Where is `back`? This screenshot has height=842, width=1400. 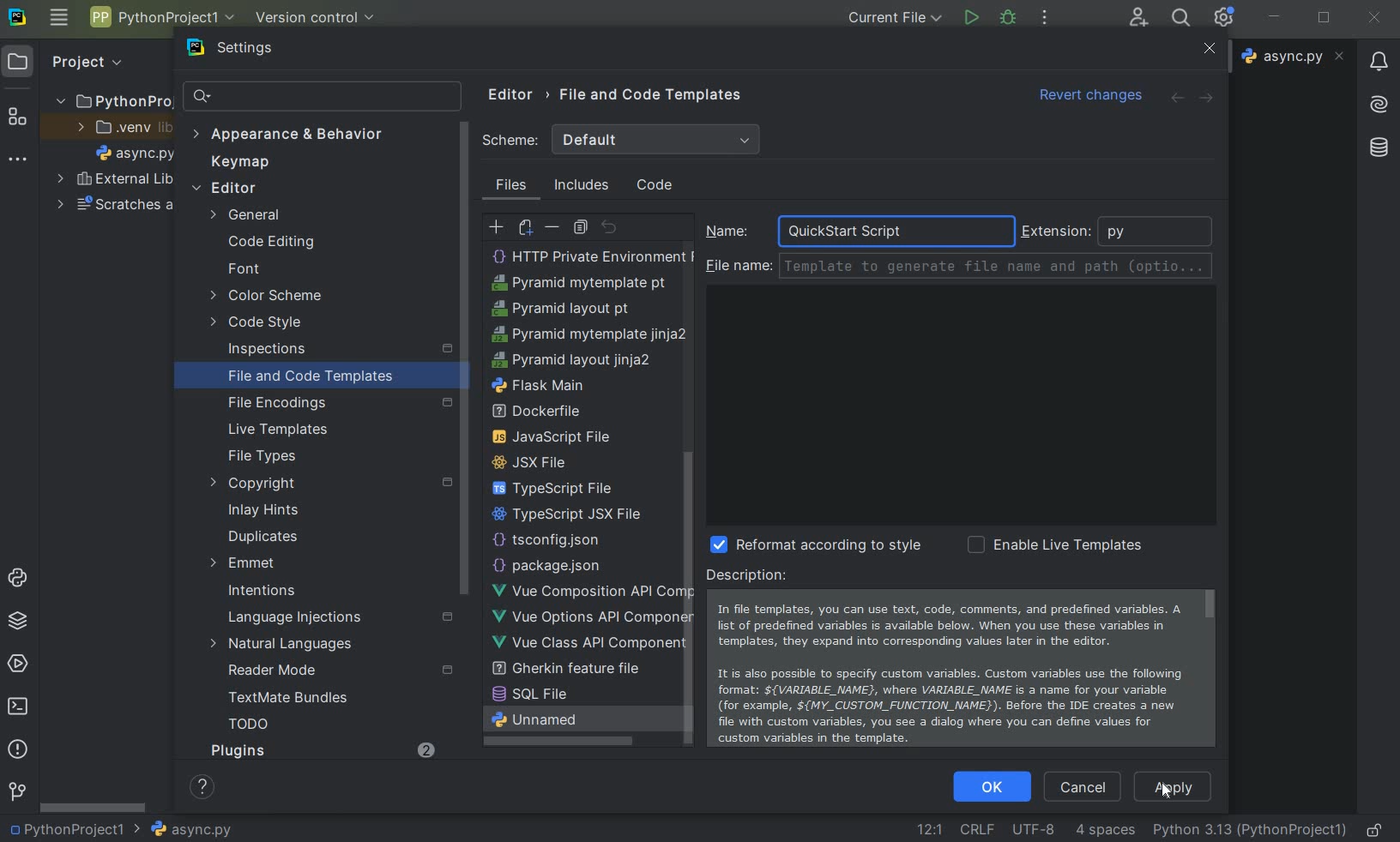 back is located at coordinates (1177, 98).